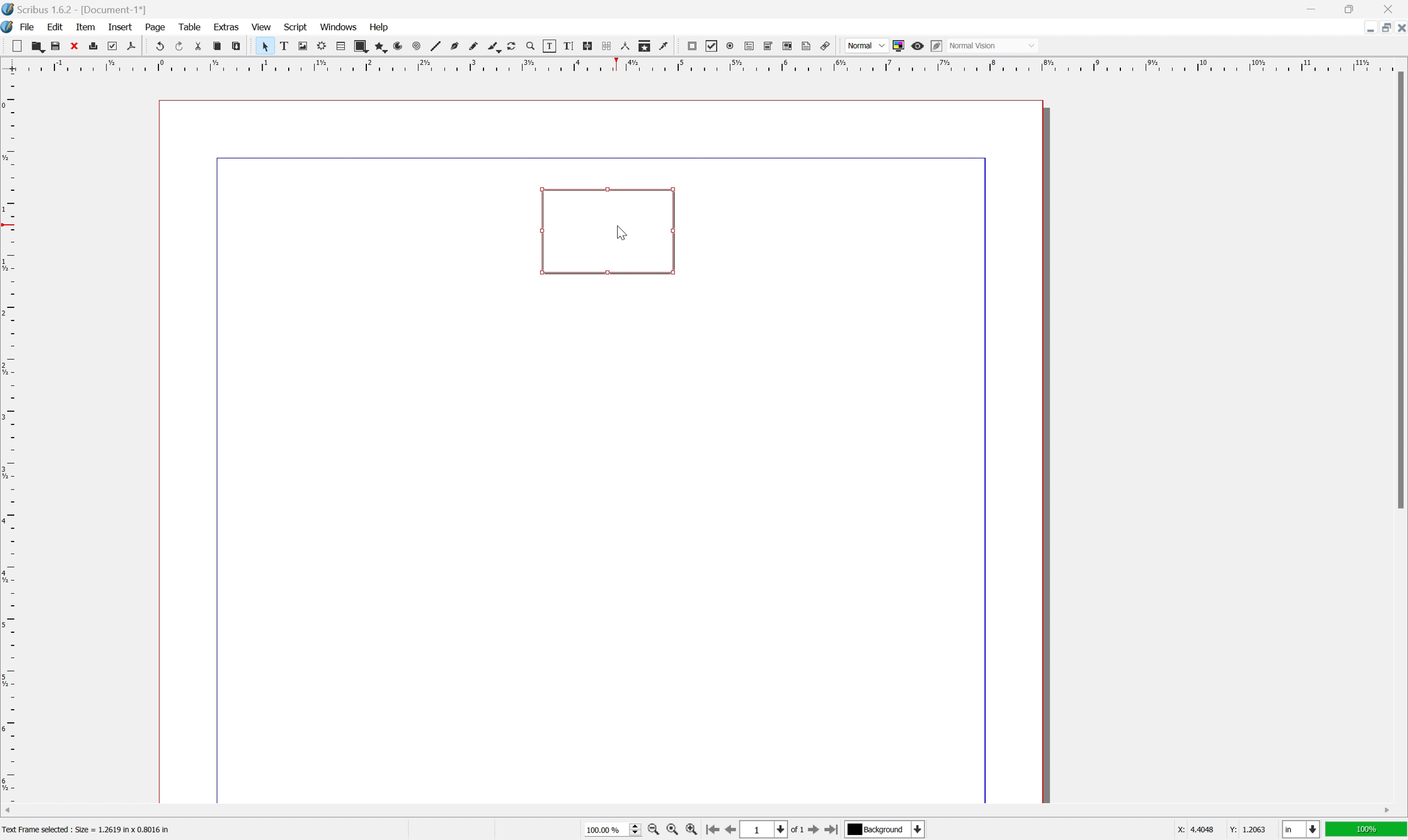 This screenshot has width=1408, height=840. I want to click on save, so click(54, 46).